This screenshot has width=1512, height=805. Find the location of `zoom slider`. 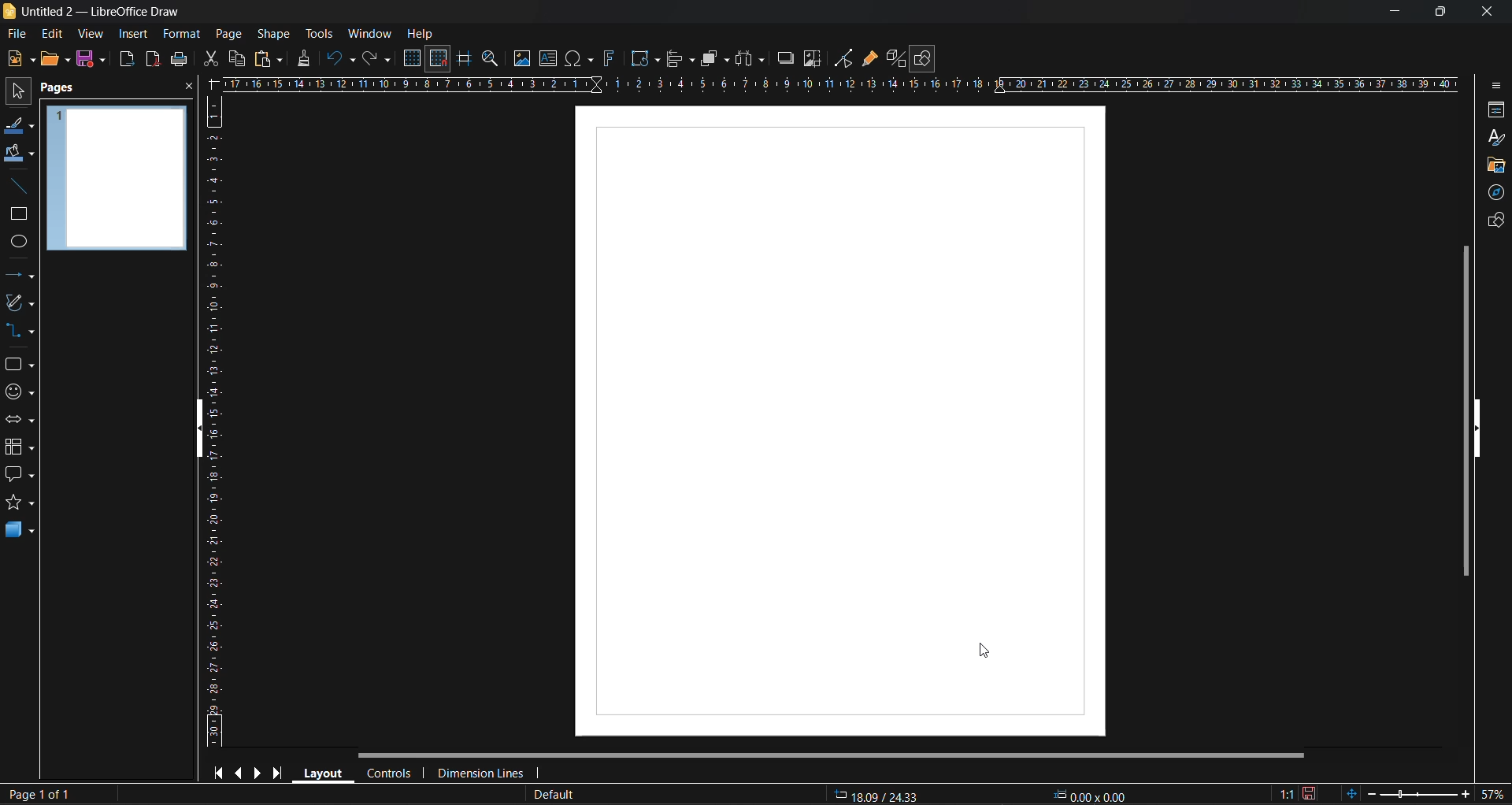

zoom slider is located at coordinates (1411, 796).